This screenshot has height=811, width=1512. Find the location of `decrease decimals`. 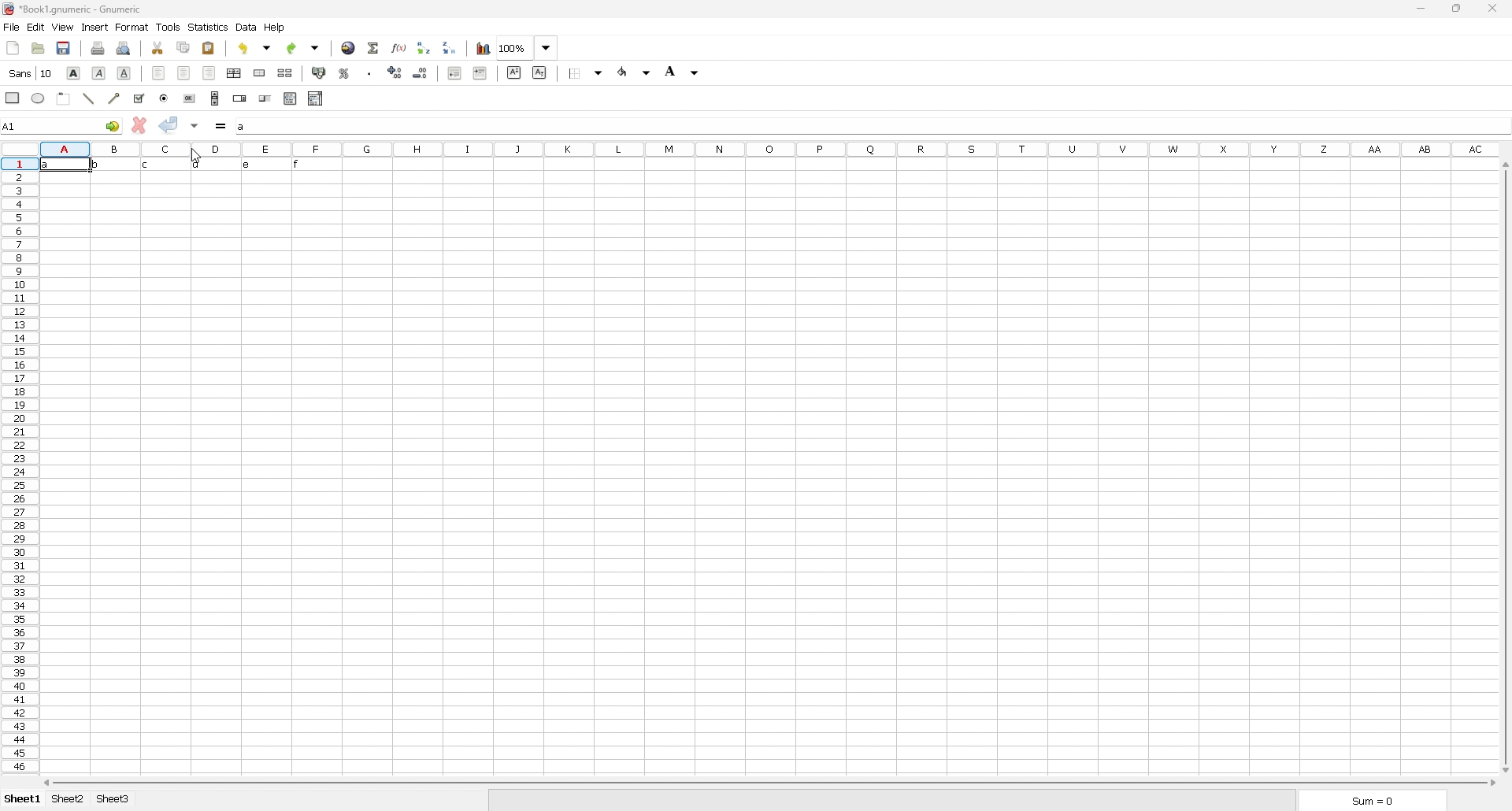

decrease decimals is located at coordinates (421, 72).